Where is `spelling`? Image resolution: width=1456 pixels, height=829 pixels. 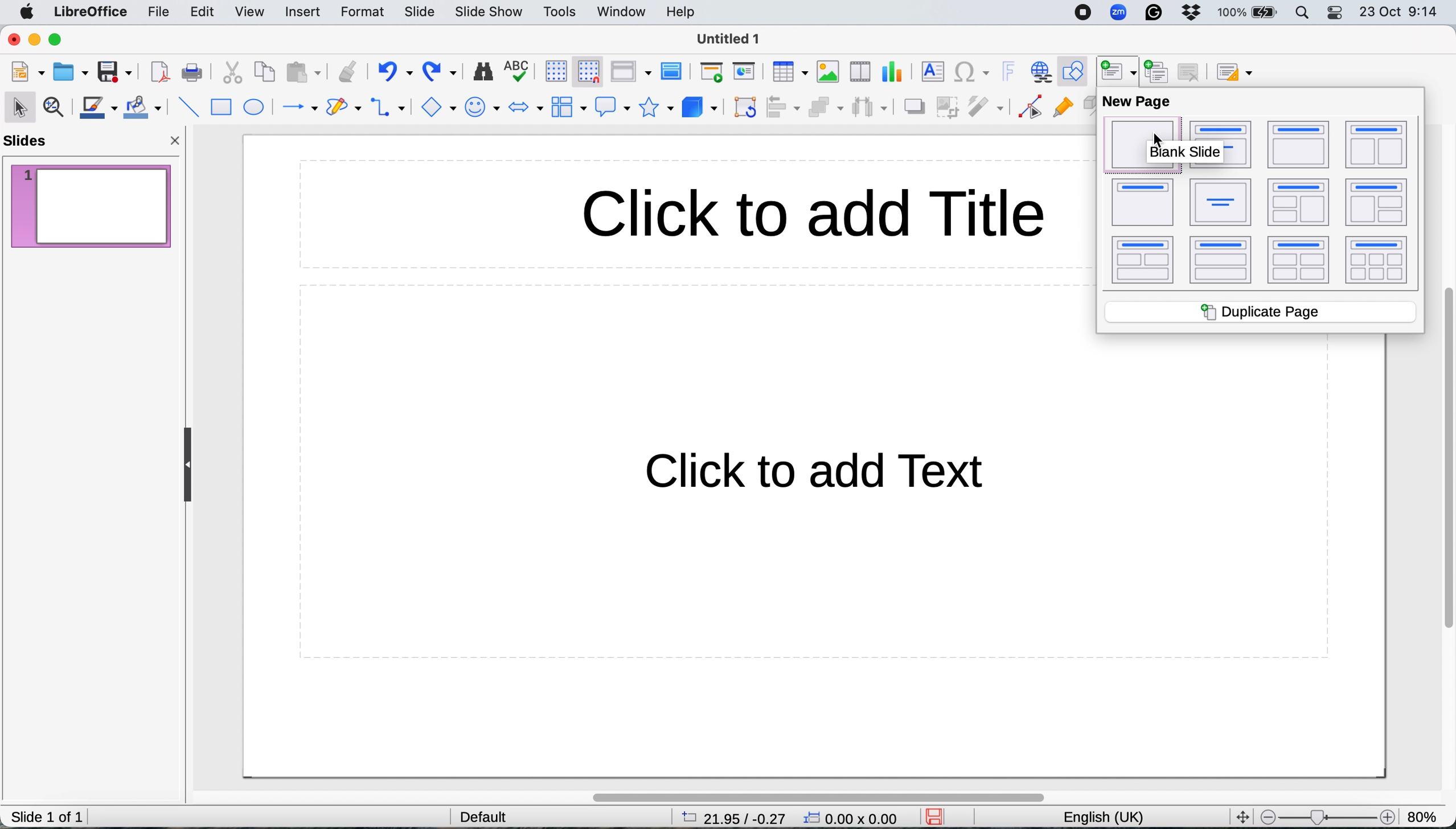
spelling is located at coordinates (518, 71).